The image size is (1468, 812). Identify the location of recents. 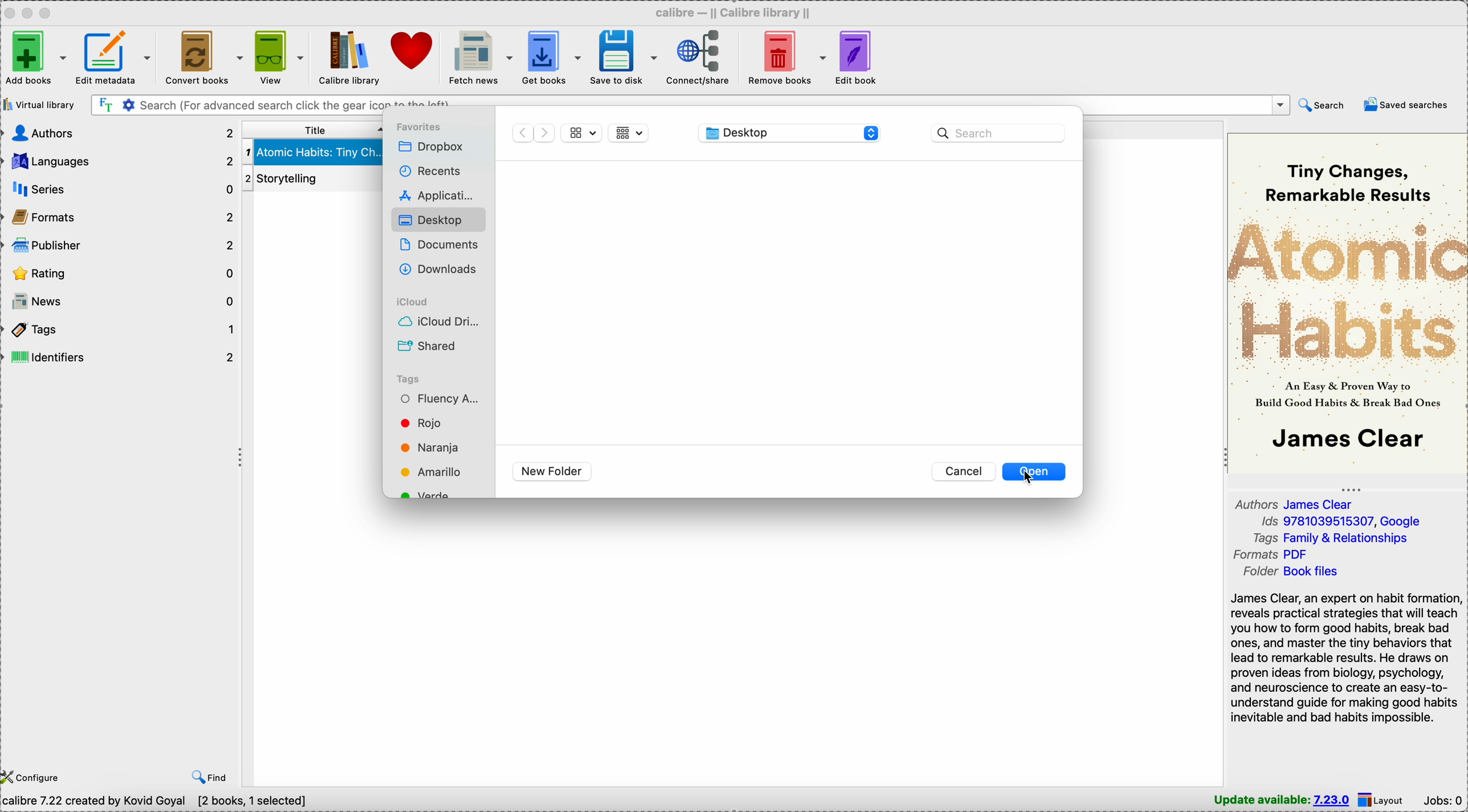
(429, 171).